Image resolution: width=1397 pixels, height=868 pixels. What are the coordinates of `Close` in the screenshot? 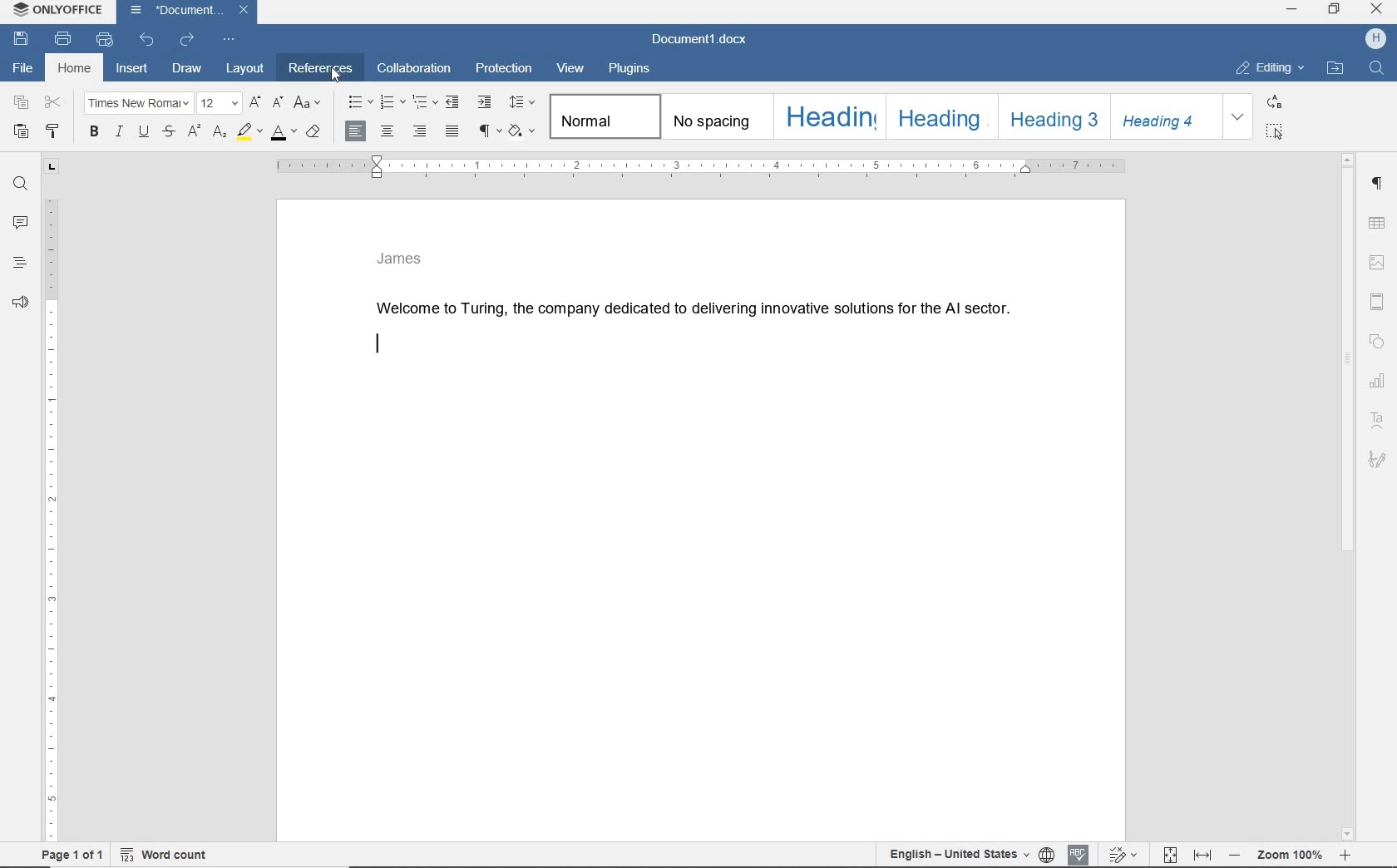 It's located at (244, 12).